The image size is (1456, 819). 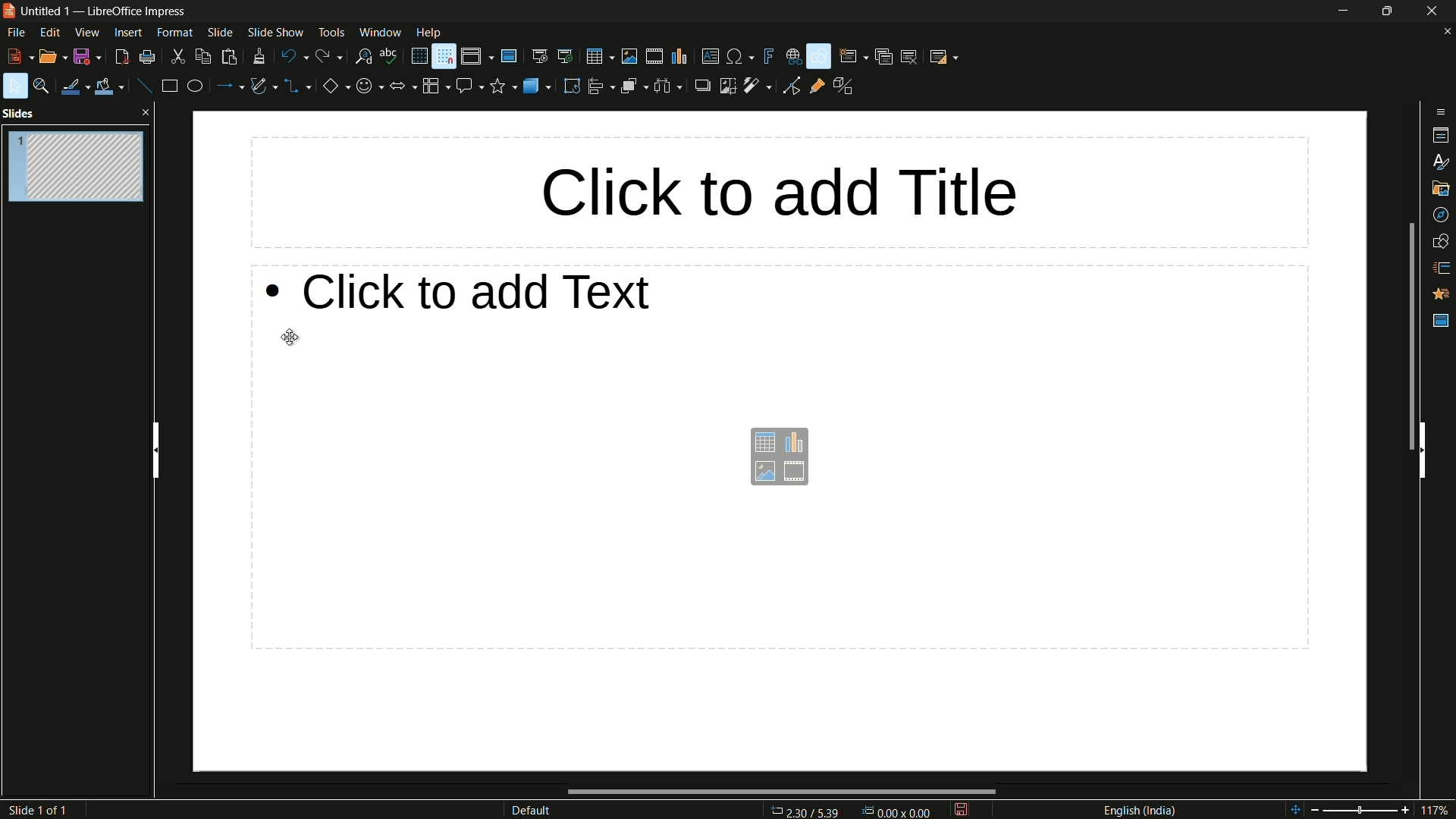 What do you see at coordinates (429, 33) in the screenshot?
I see `help menu` at bounding box center [429, 33].